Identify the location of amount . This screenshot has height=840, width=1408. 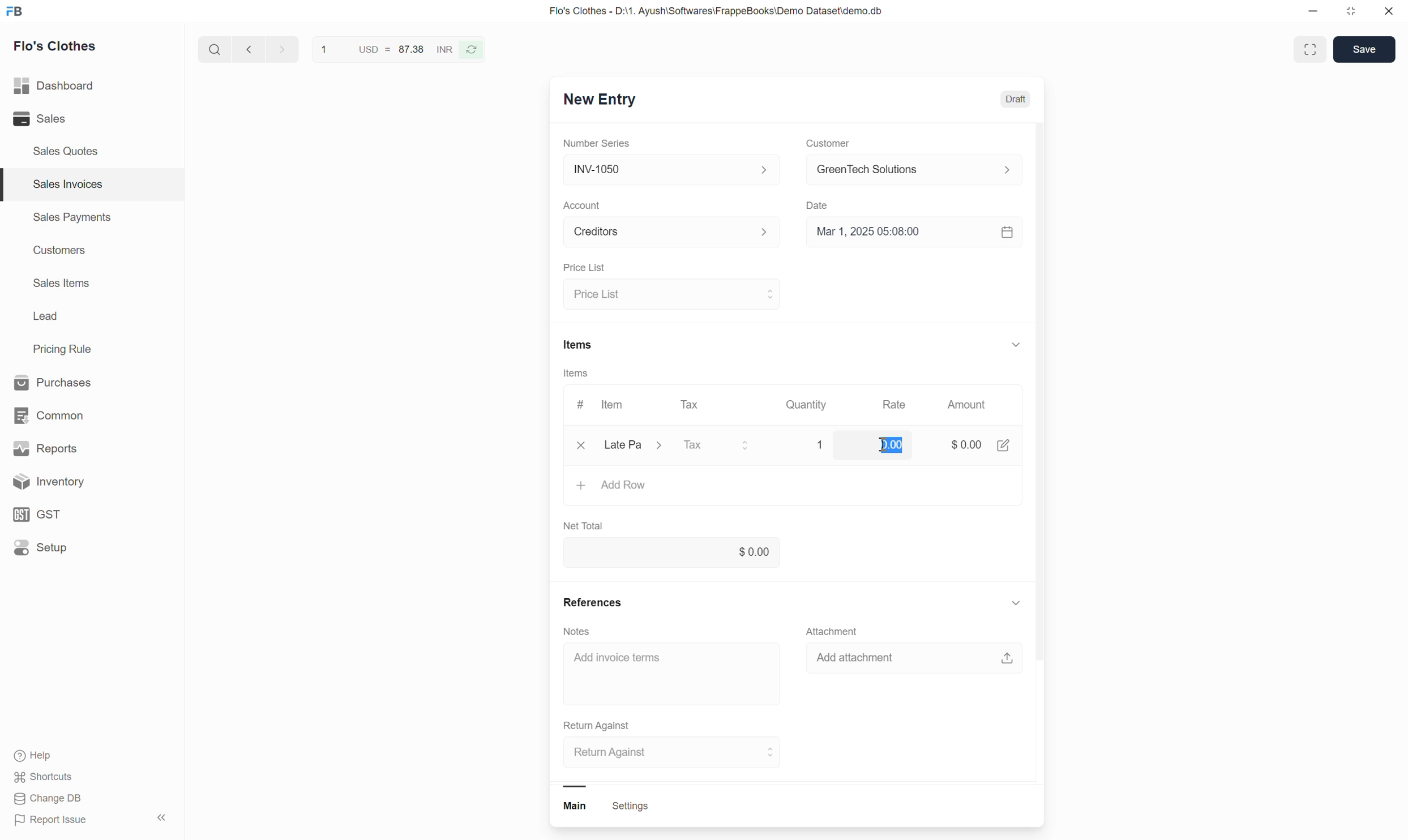
(958, 445).